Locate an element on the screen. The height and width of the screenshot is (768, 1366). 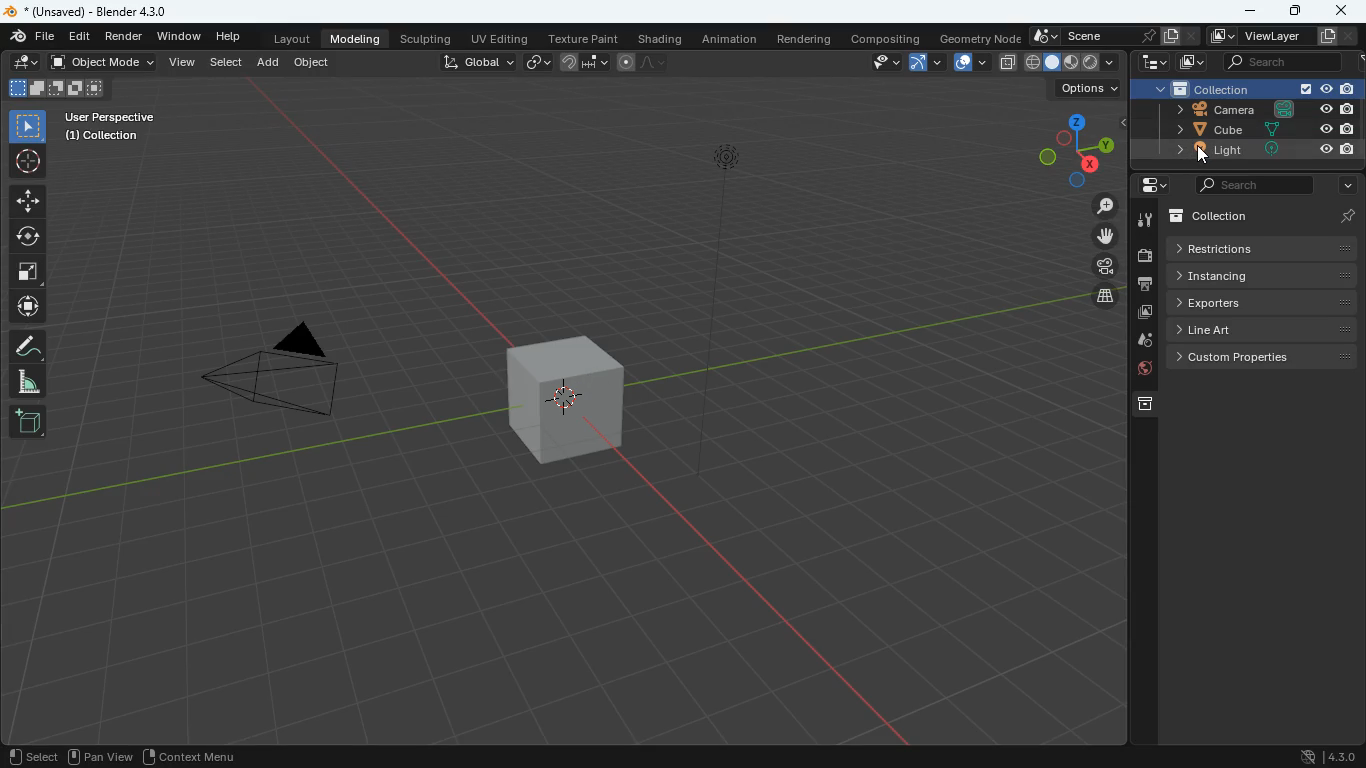
collection is located at coordinates (1249, 89).